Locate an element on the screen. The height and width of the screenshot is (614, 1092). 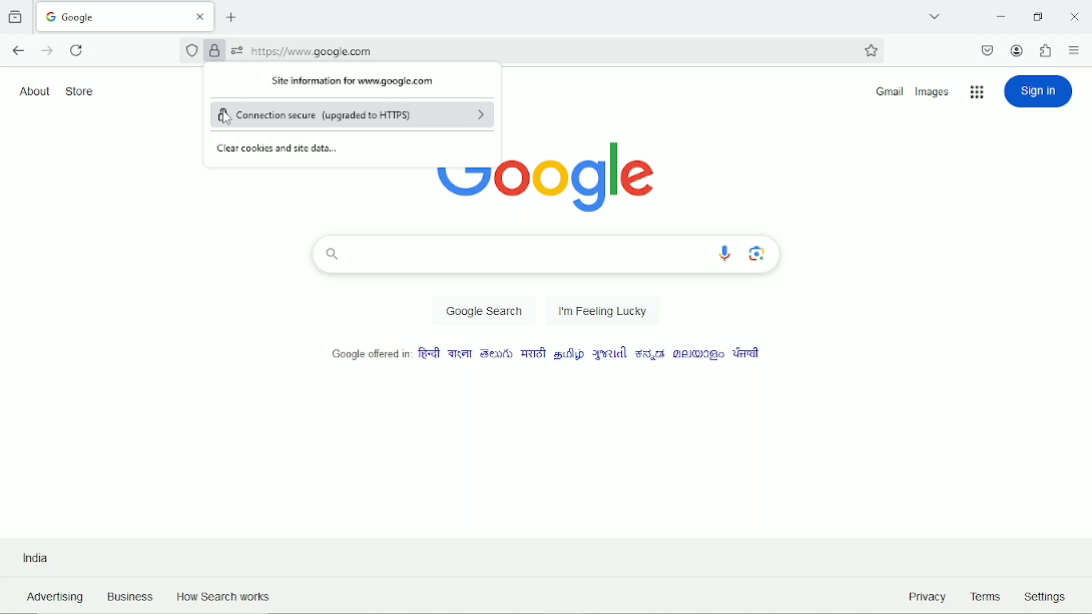
Open application menu is located at coordinates (1074, 50).